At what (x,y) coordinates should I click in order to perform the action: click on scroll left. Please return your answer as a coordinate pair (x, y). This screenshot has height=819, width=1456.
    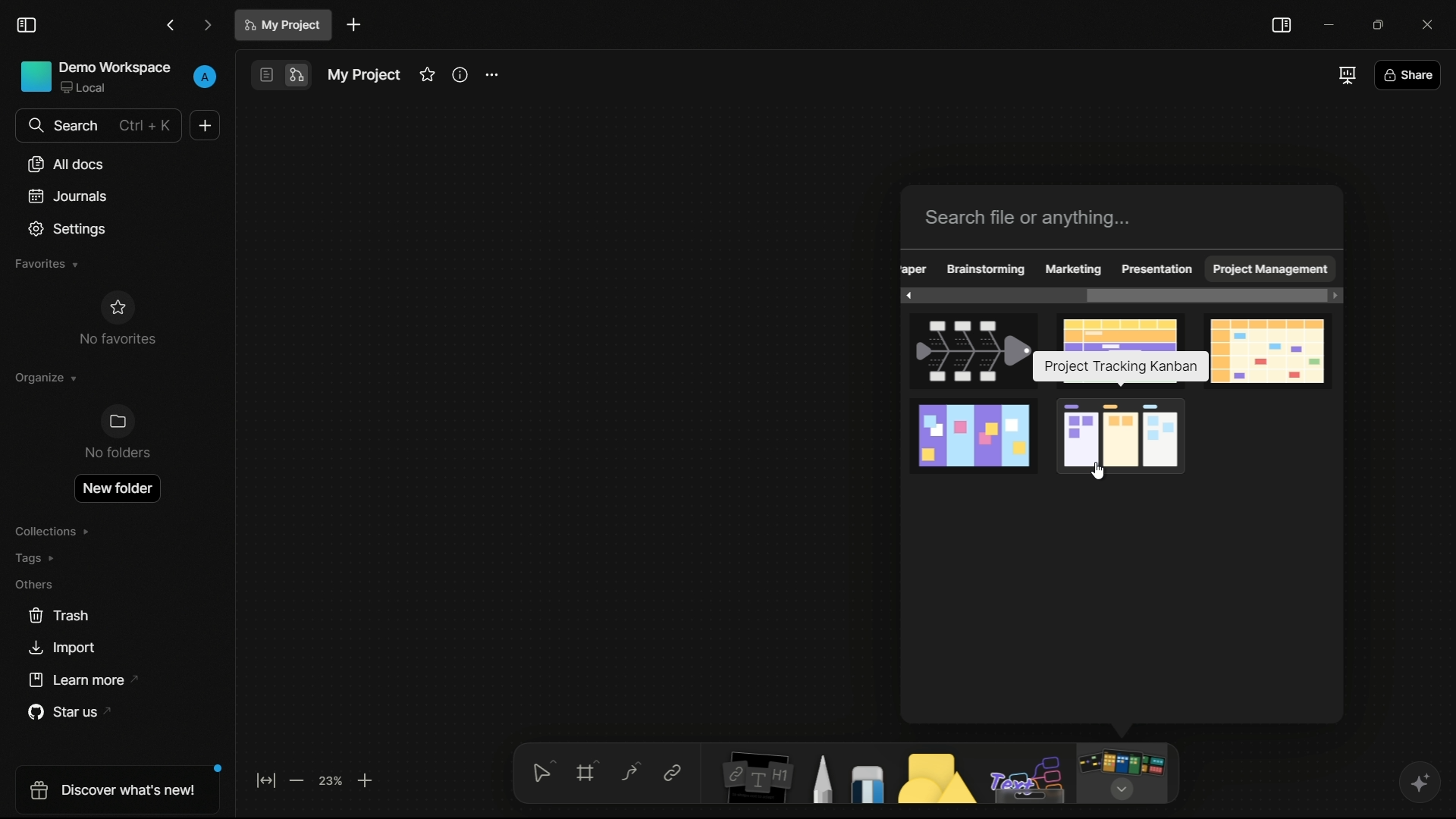
    Looking at the image, I should click on (905, 296).